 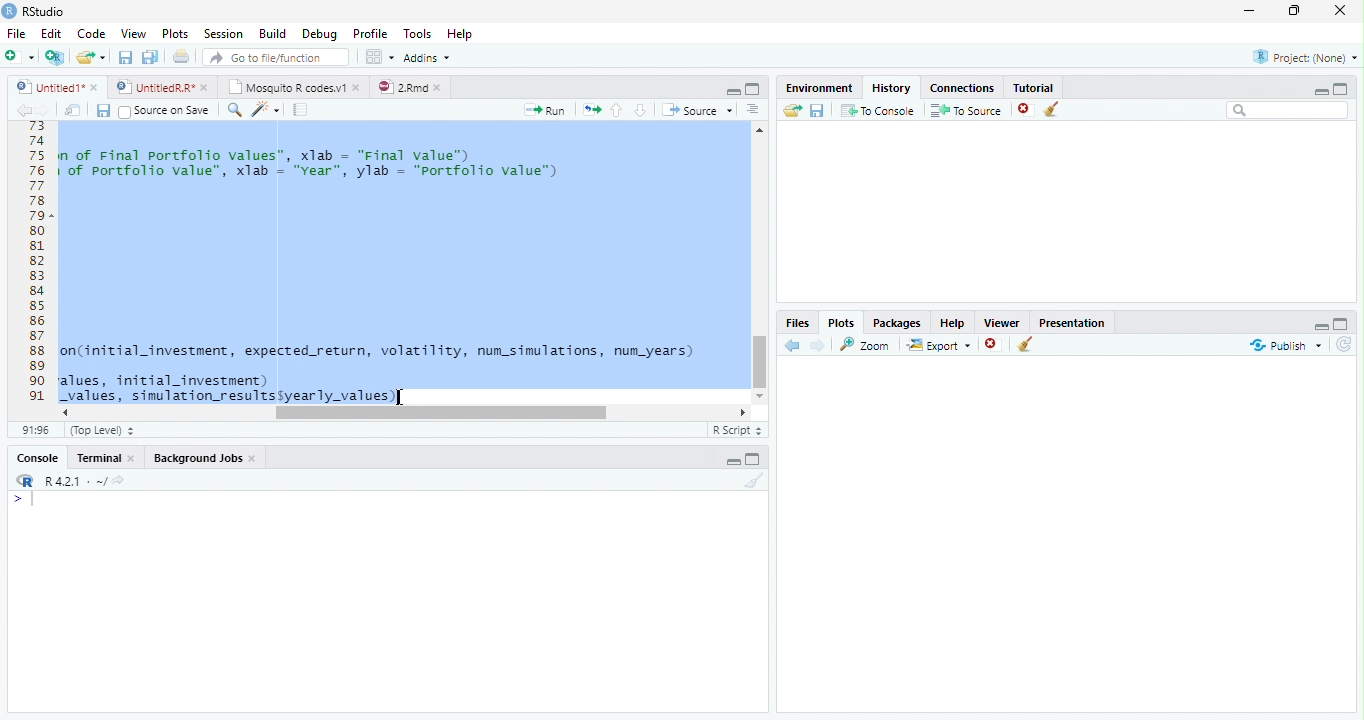 I want to click on Code Tools, so click(x=266, y=110).